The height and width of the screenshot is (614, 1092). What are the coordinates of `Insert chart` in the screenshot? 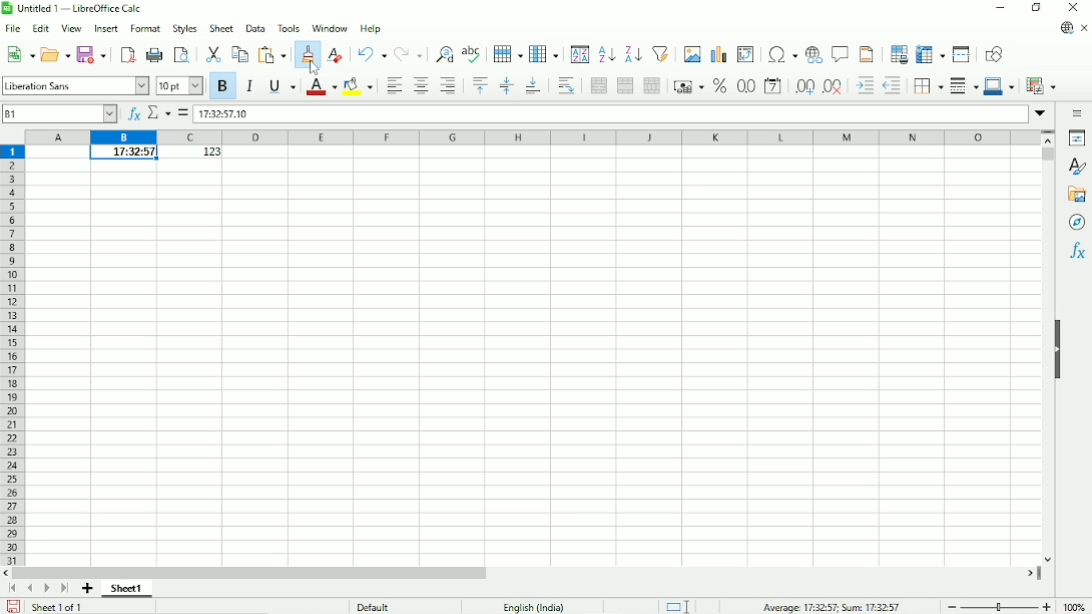 It's located at (718, 54).